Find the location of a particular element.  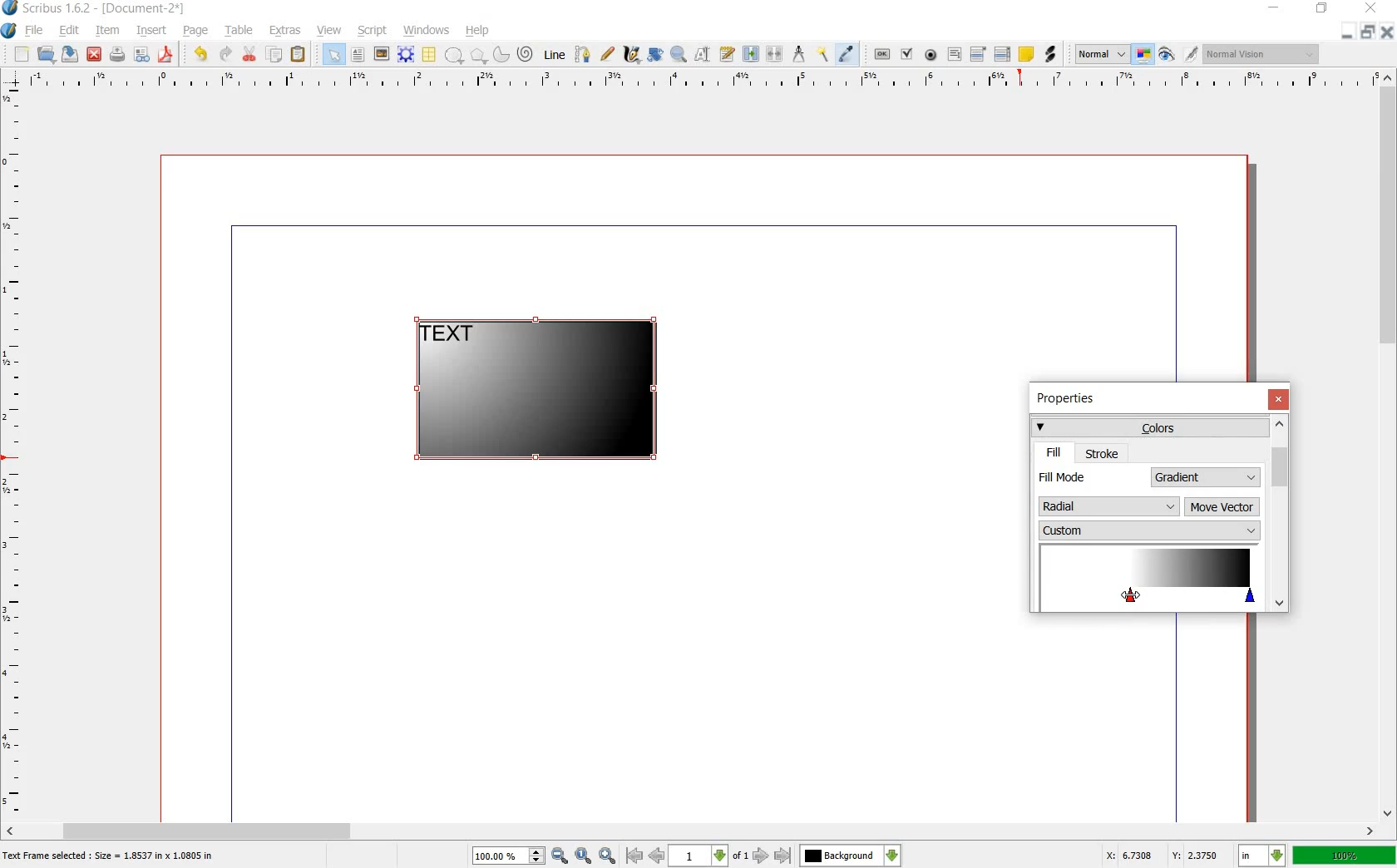

fill mode is located at coordinates (1091, 476).